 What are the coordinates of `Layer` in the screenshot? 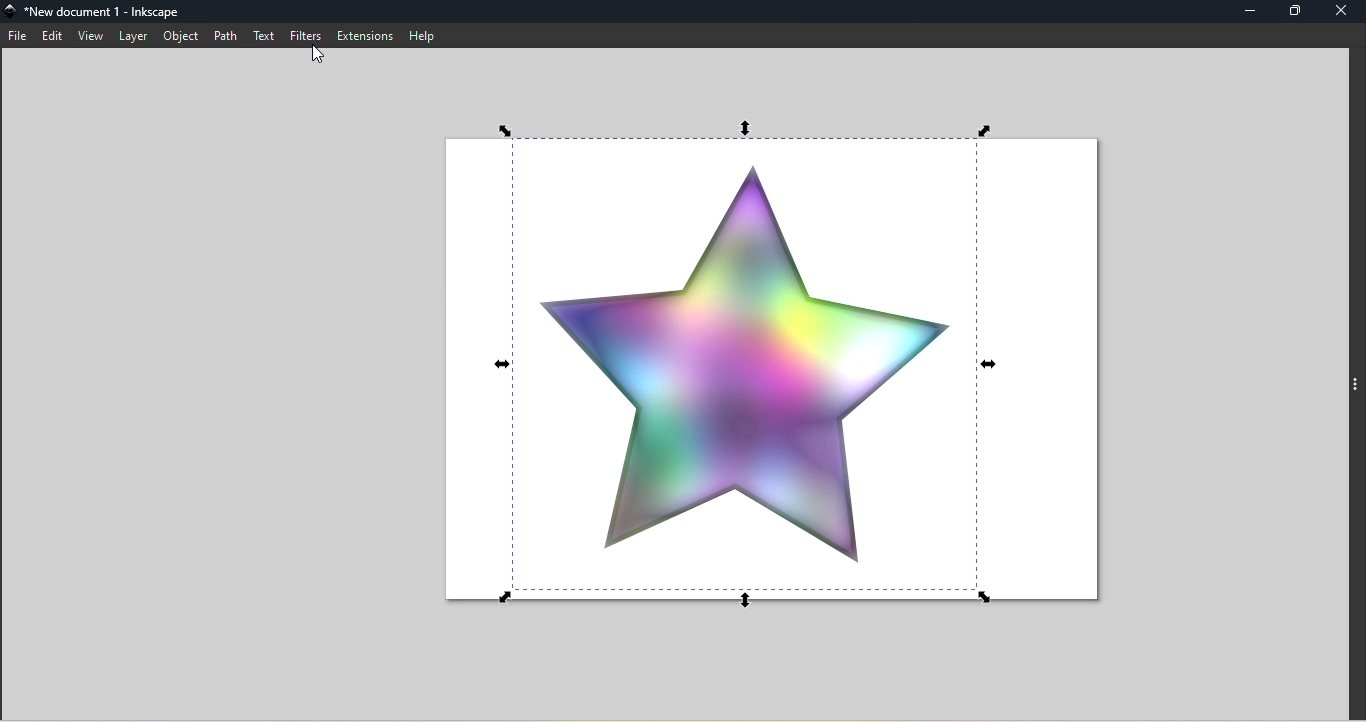 It's located at (132, 37).